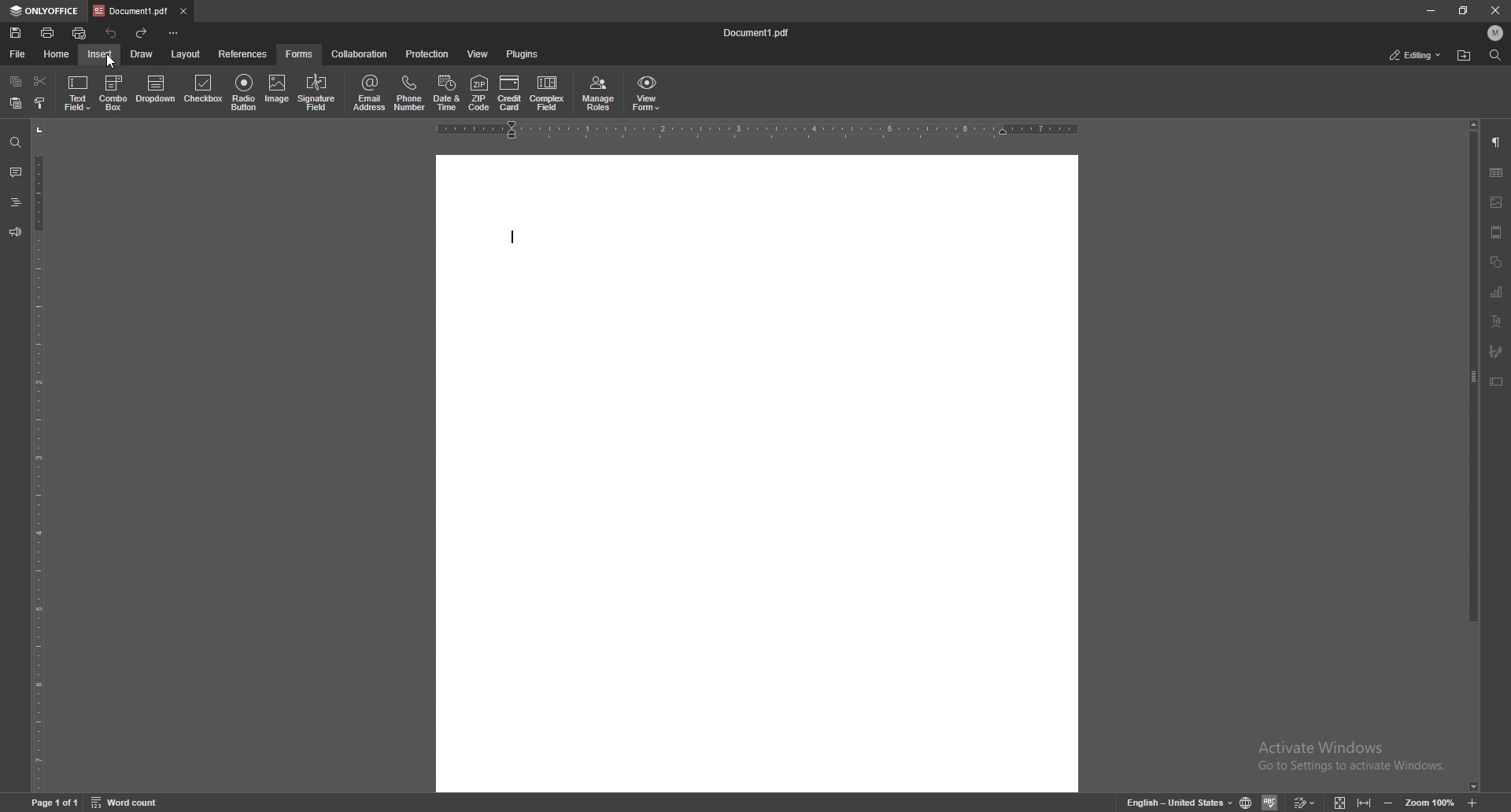 Image resolution: width=1511 pixels, height=812 pixels. What do you see at coordinates (1474, 457) in the screenshot?
I see `scroll bar` at bounding box center [1474, 457].